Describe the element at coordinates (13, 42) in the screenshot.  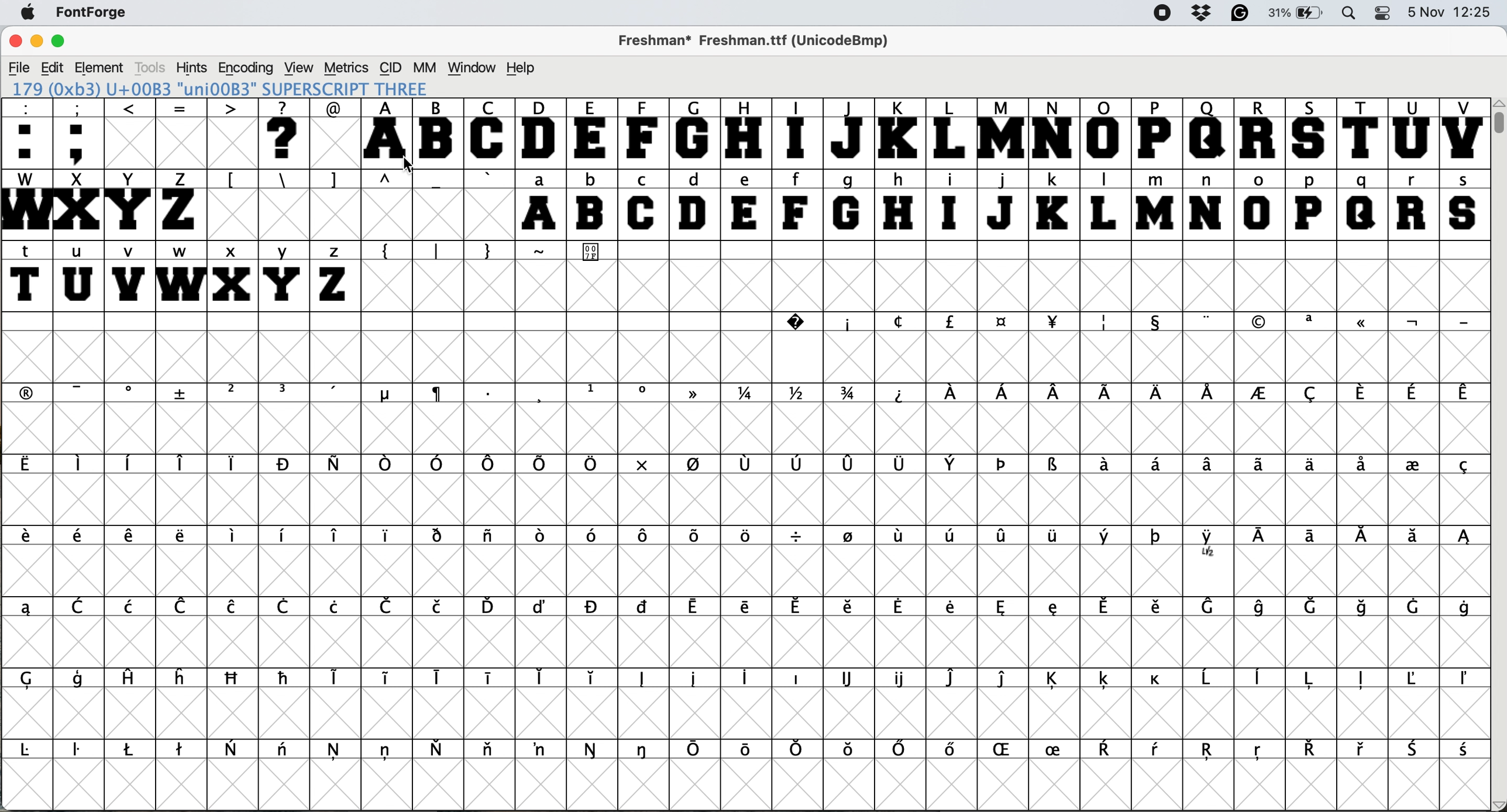
I see `close` at that location.